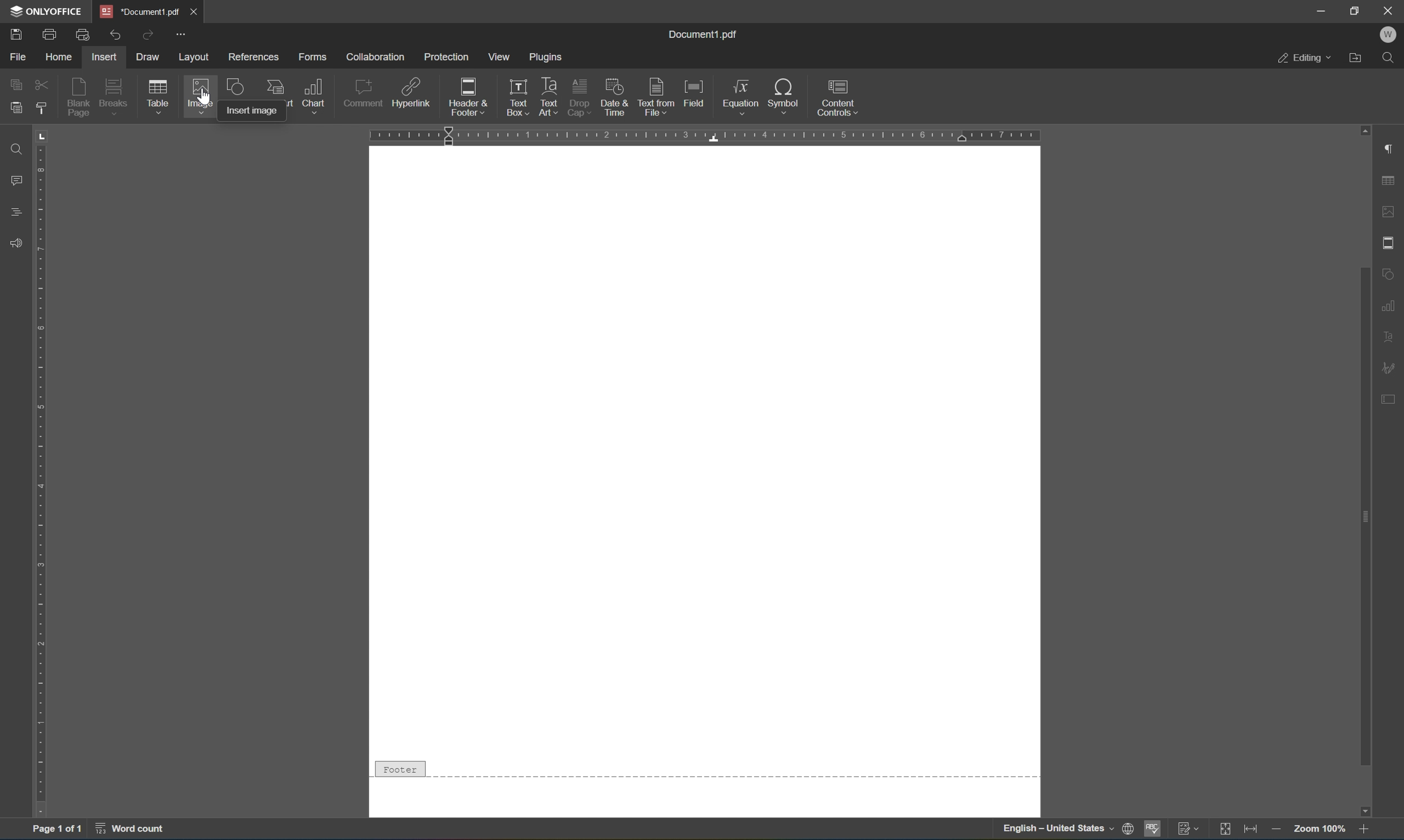 This screenshot has width=1404, height=840. Describe the element at coordinates (1392, 149) in the screenshot. I see `paragraph settings` at that location.